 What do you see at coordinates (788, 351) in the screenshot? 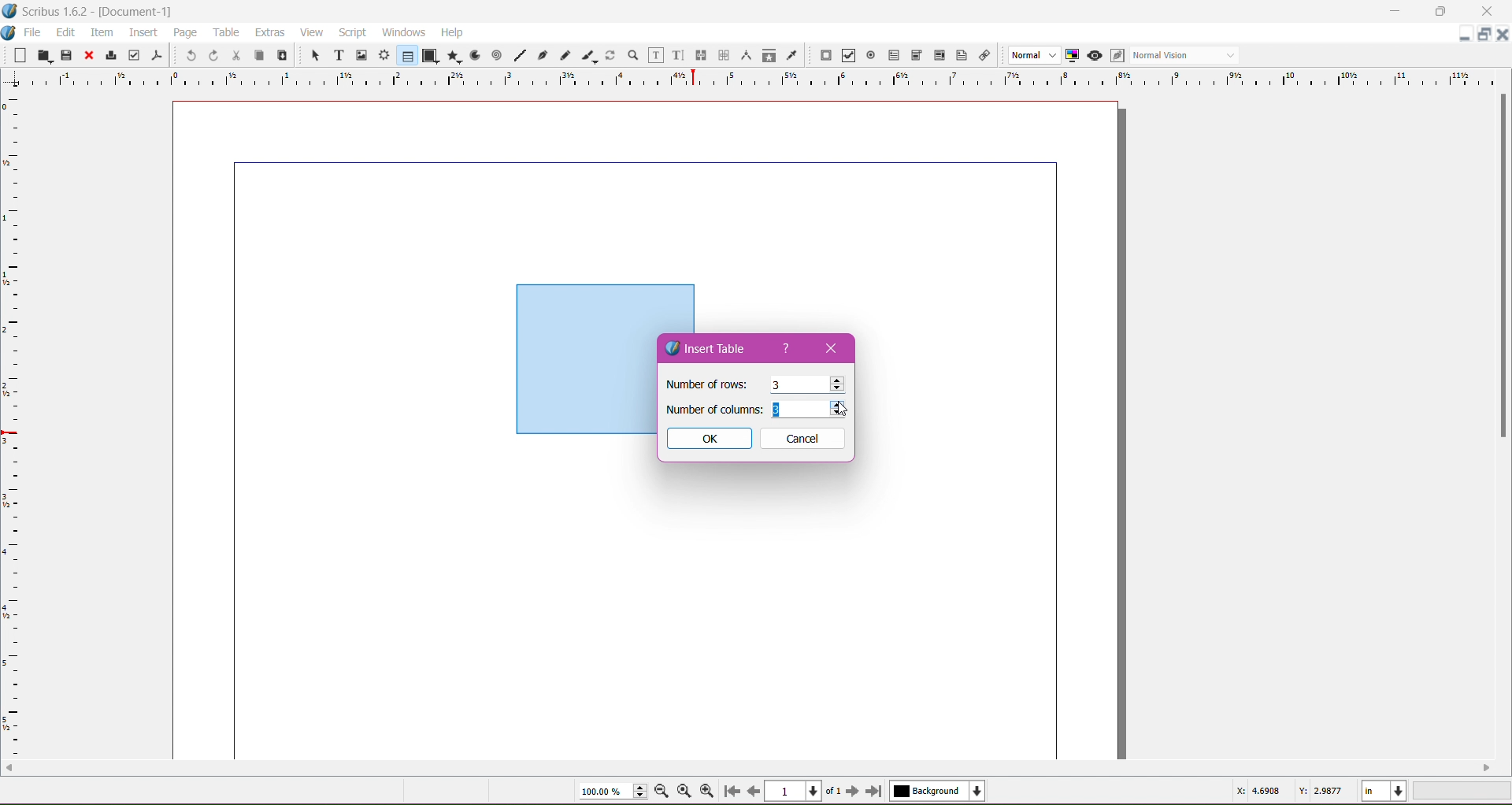
I see `help` at bounding box center [788, 351].